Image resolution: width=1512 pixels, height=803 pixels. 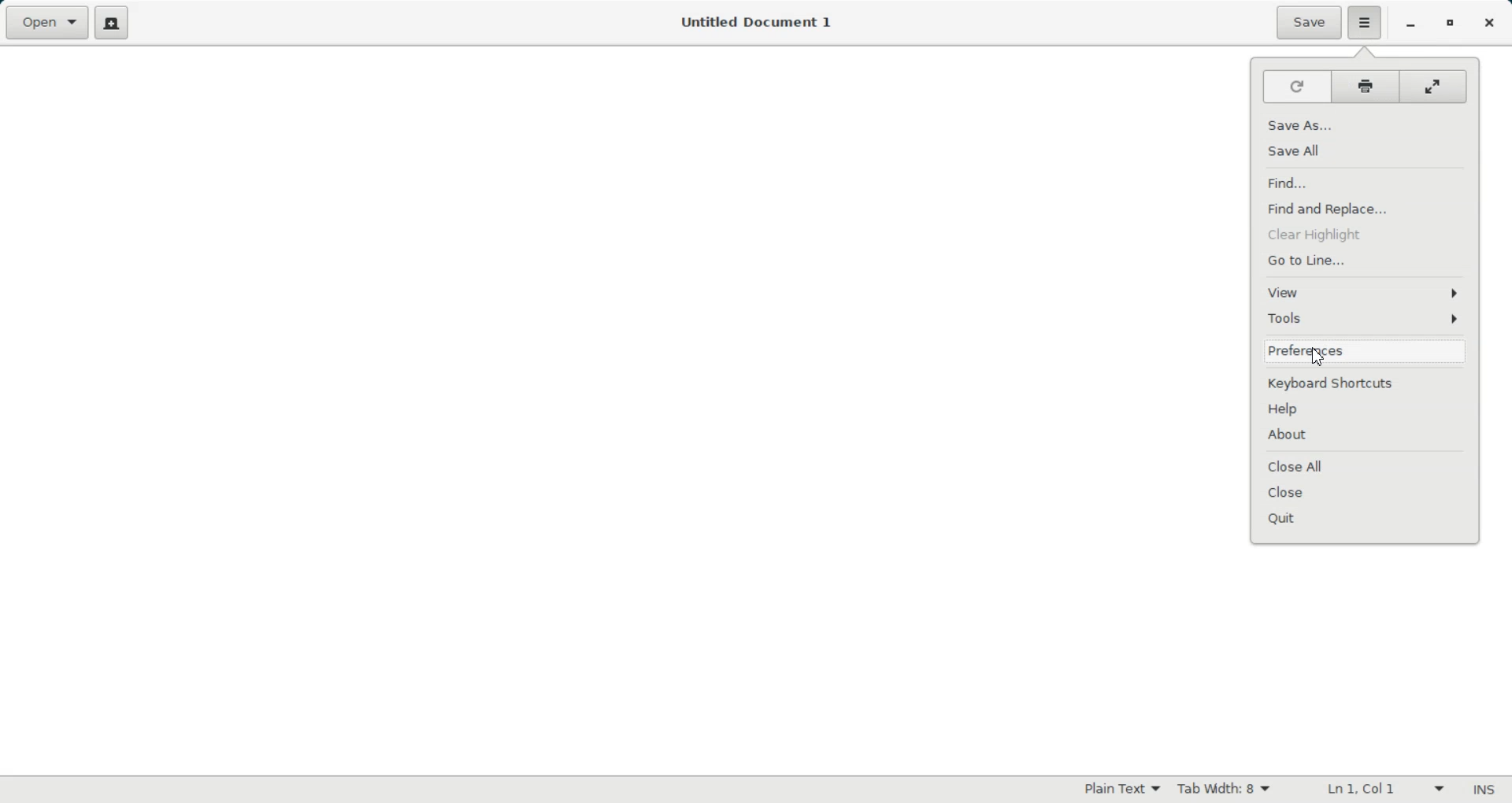 What do you see at coordinates (1307, 23) in the screenshot?
I see `Save` at bounding box center [1307, 23].